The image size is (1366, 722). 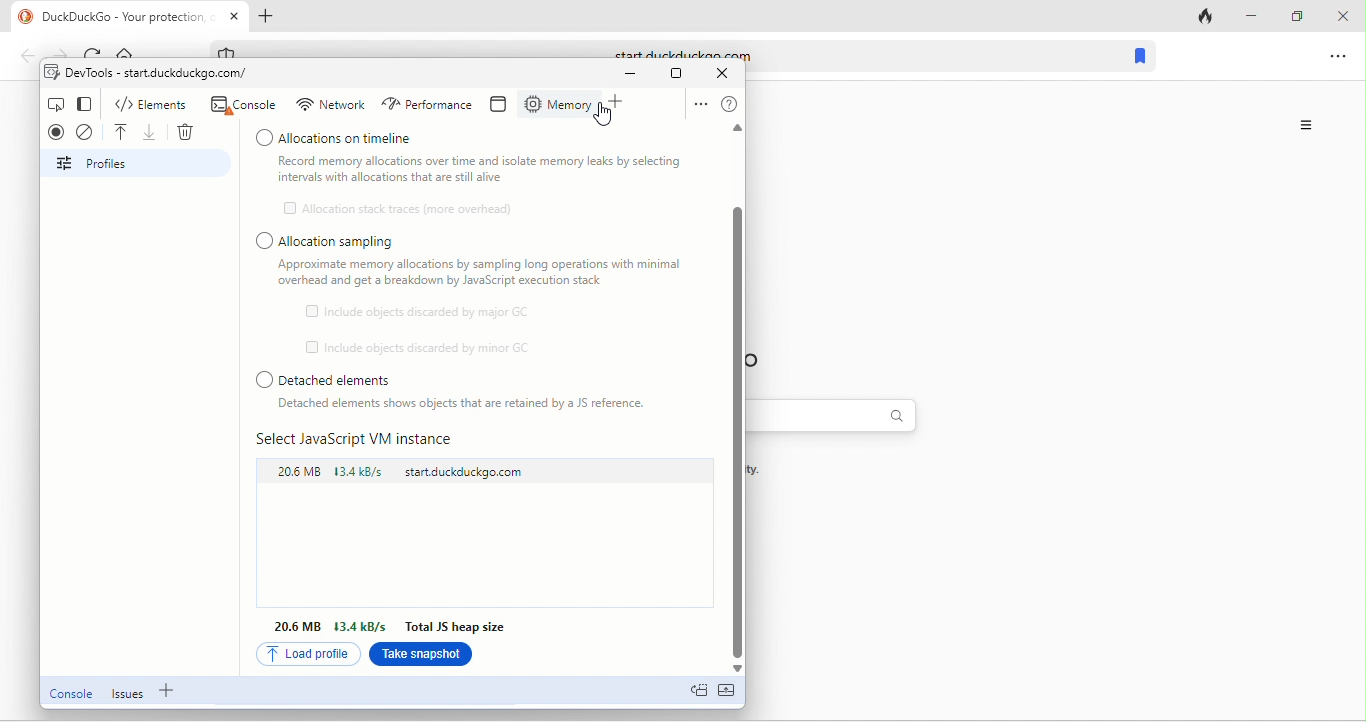 What do you see at coordinates (734, 101) in the screenshot?
I see `help` at bounding box center [734, 101].